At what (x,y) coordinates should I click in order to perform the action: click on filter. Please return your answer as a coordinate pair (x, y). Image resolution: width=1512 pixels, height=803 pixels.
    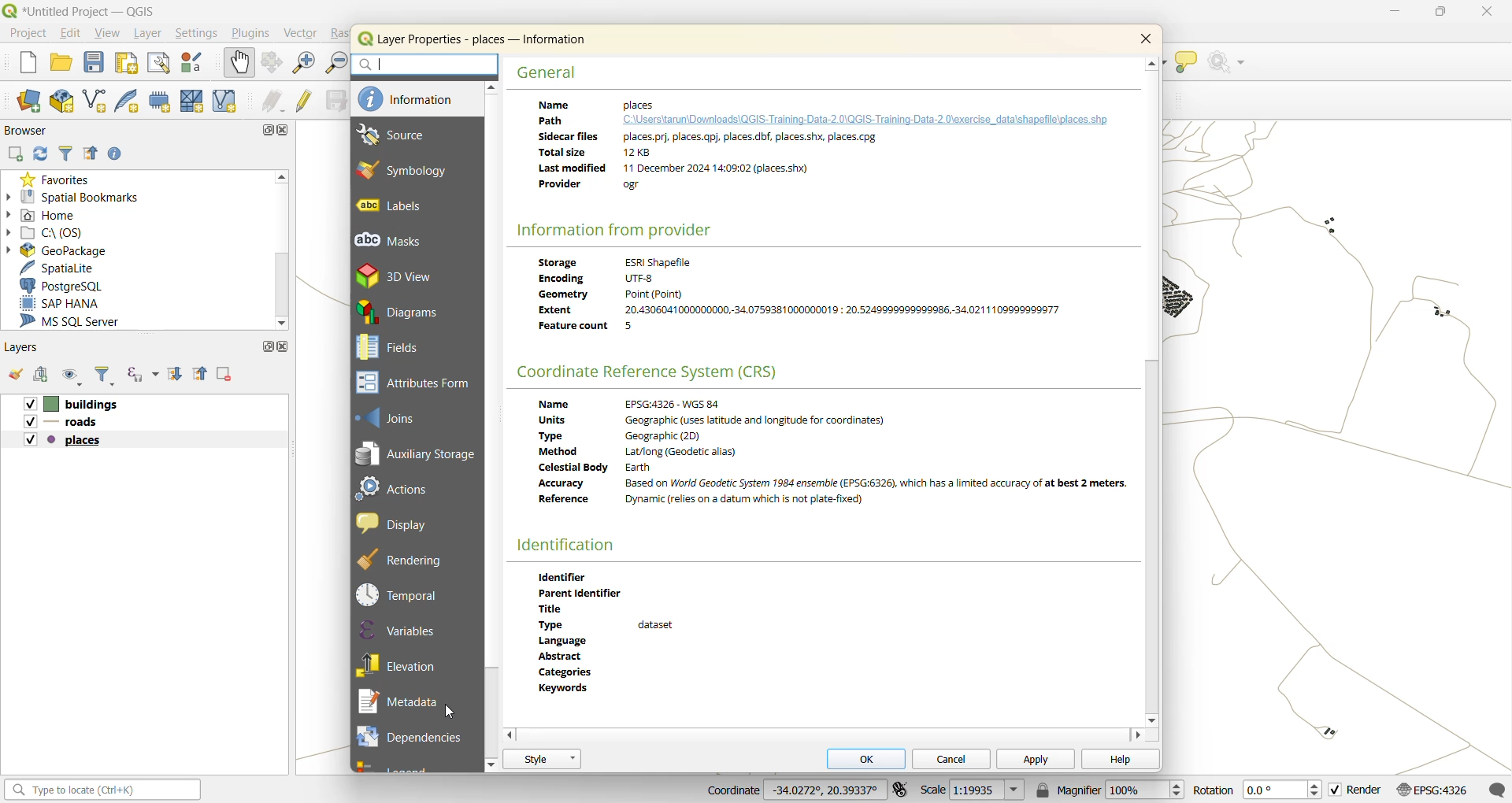
    Looking at the image, I should click on (103, 376).